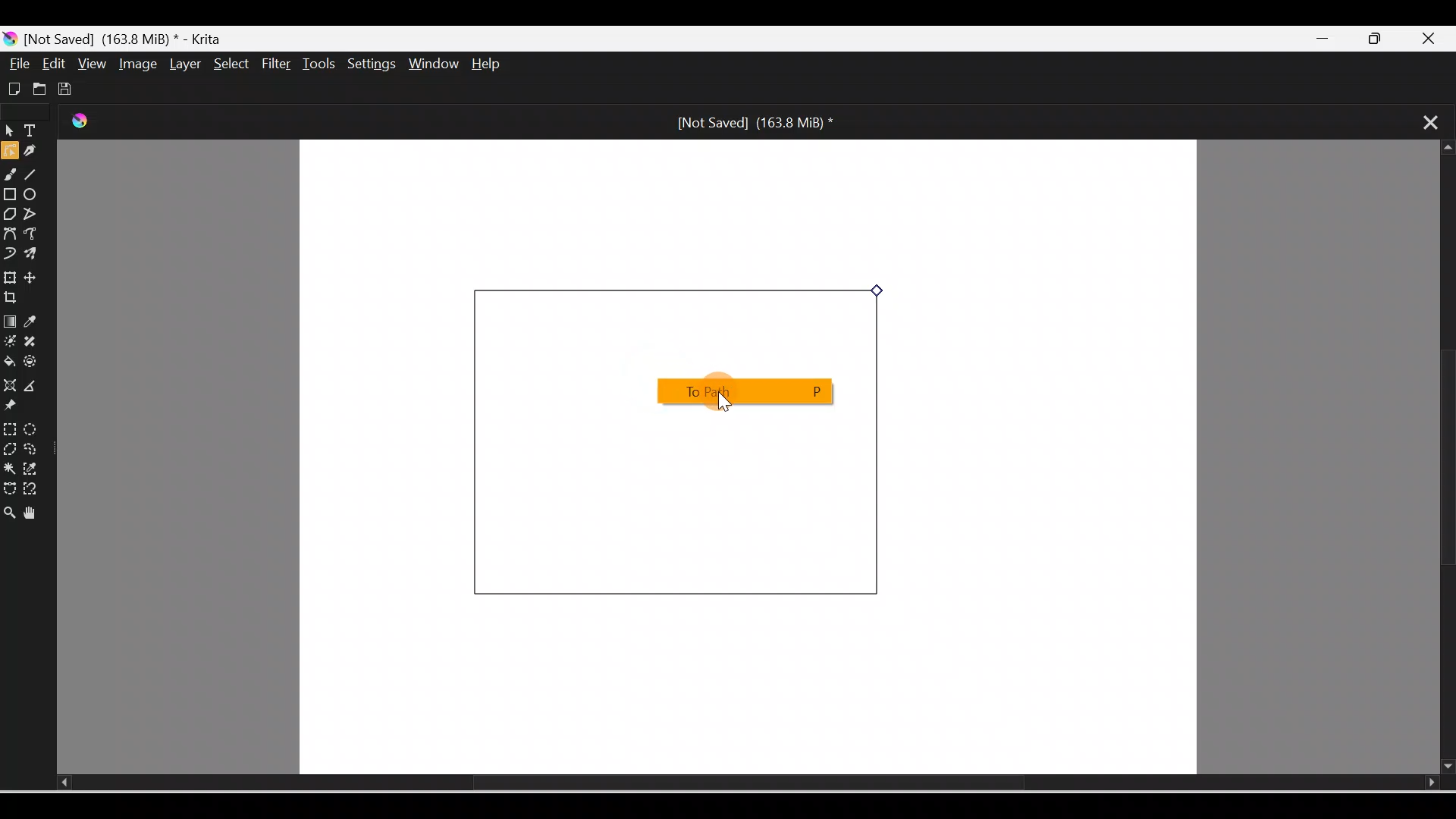 The width and height of the screenshot is (1456, 819). Describe the element at coordinates (436, 65) in the screenshot. I see `Window` at that location.